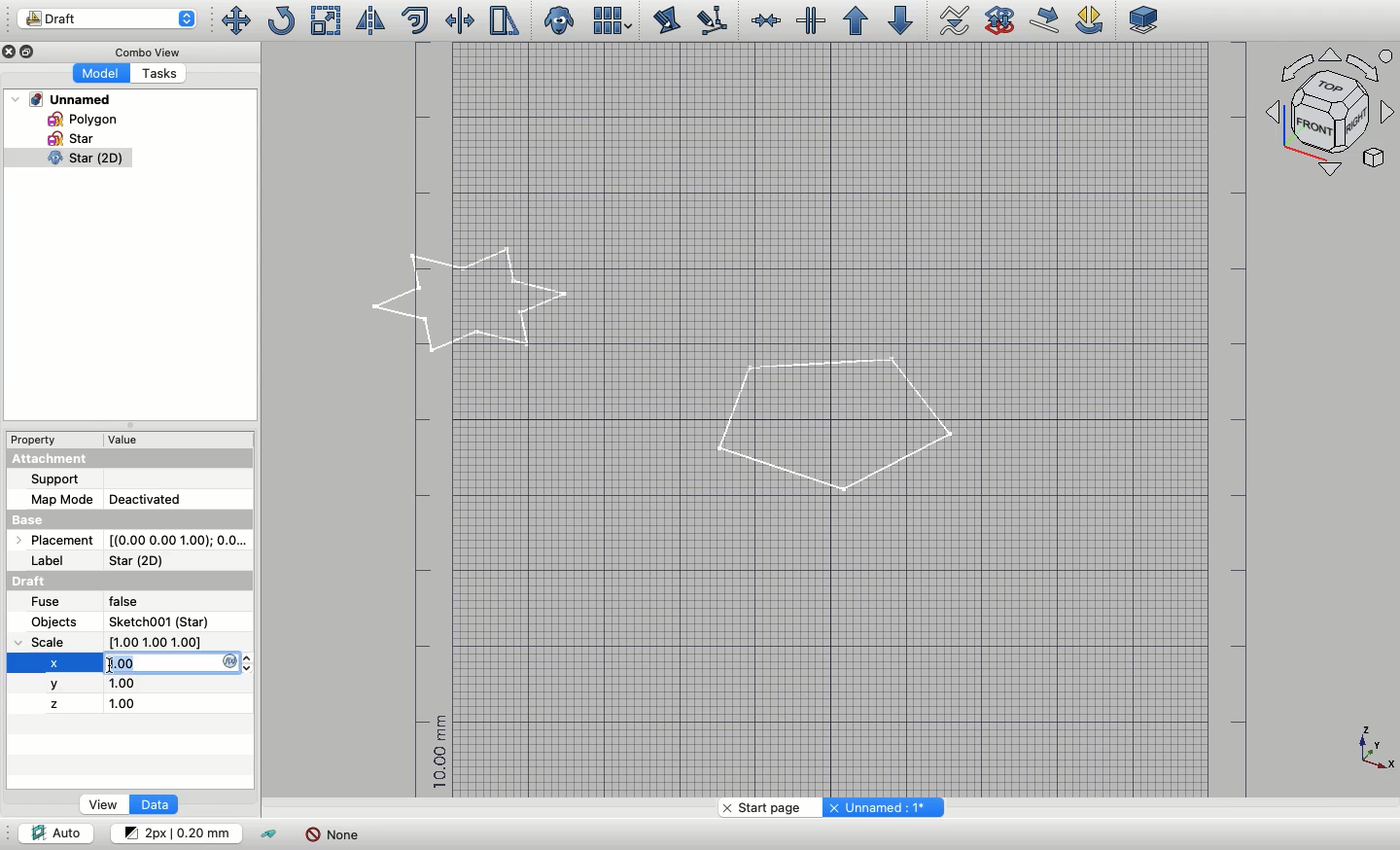 The height and width of the screenshot is (850, 1400). Describe the element at coordinates (138, 684) in the screenshot. I see `1` at that location.